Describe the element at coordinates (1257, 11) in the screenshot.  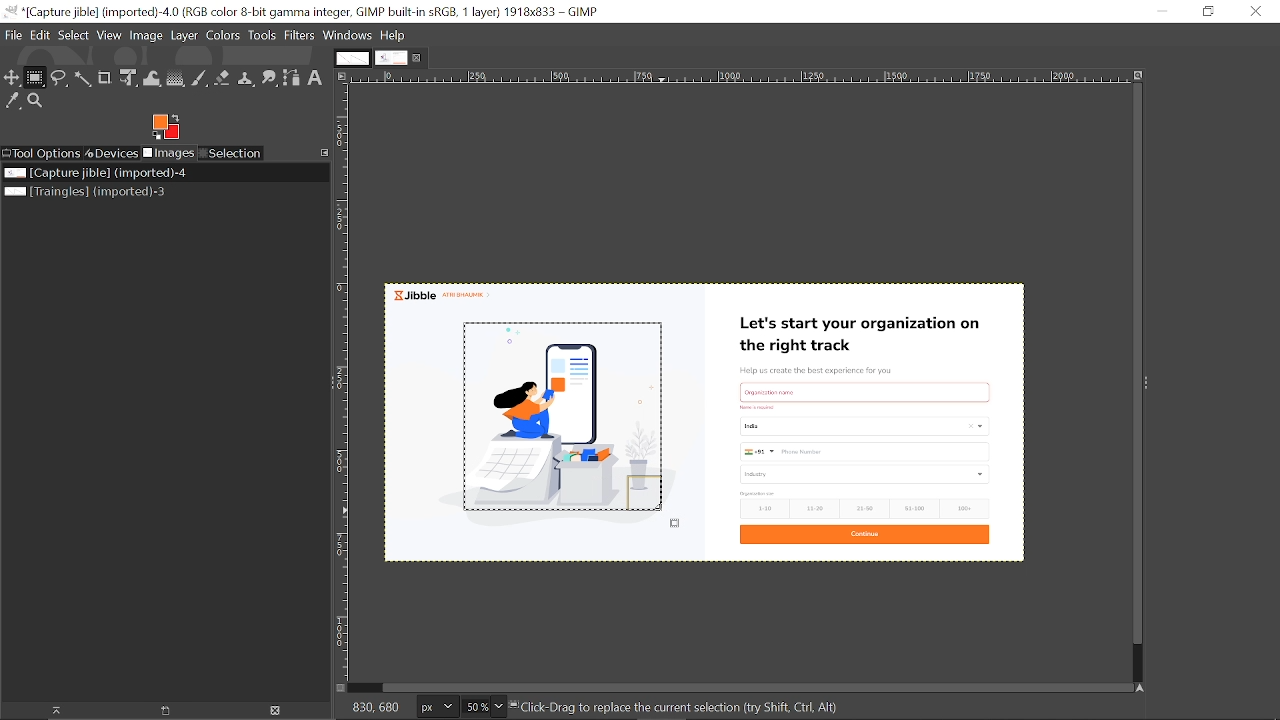
I see `Close window` at that location.